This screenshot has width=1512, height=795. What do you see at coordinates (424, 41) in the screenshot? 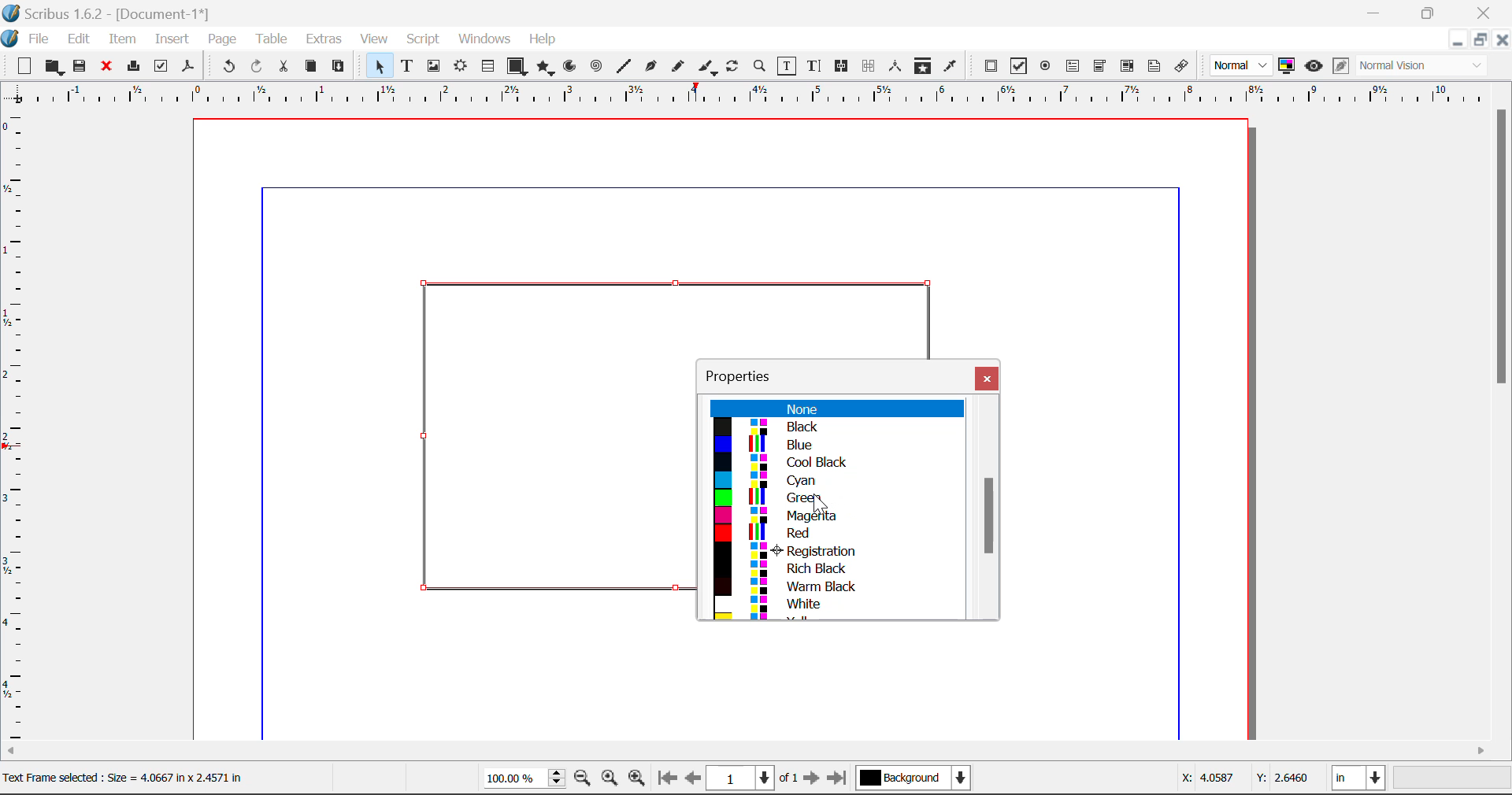
I see `Script` at bounding box center [424, 41].